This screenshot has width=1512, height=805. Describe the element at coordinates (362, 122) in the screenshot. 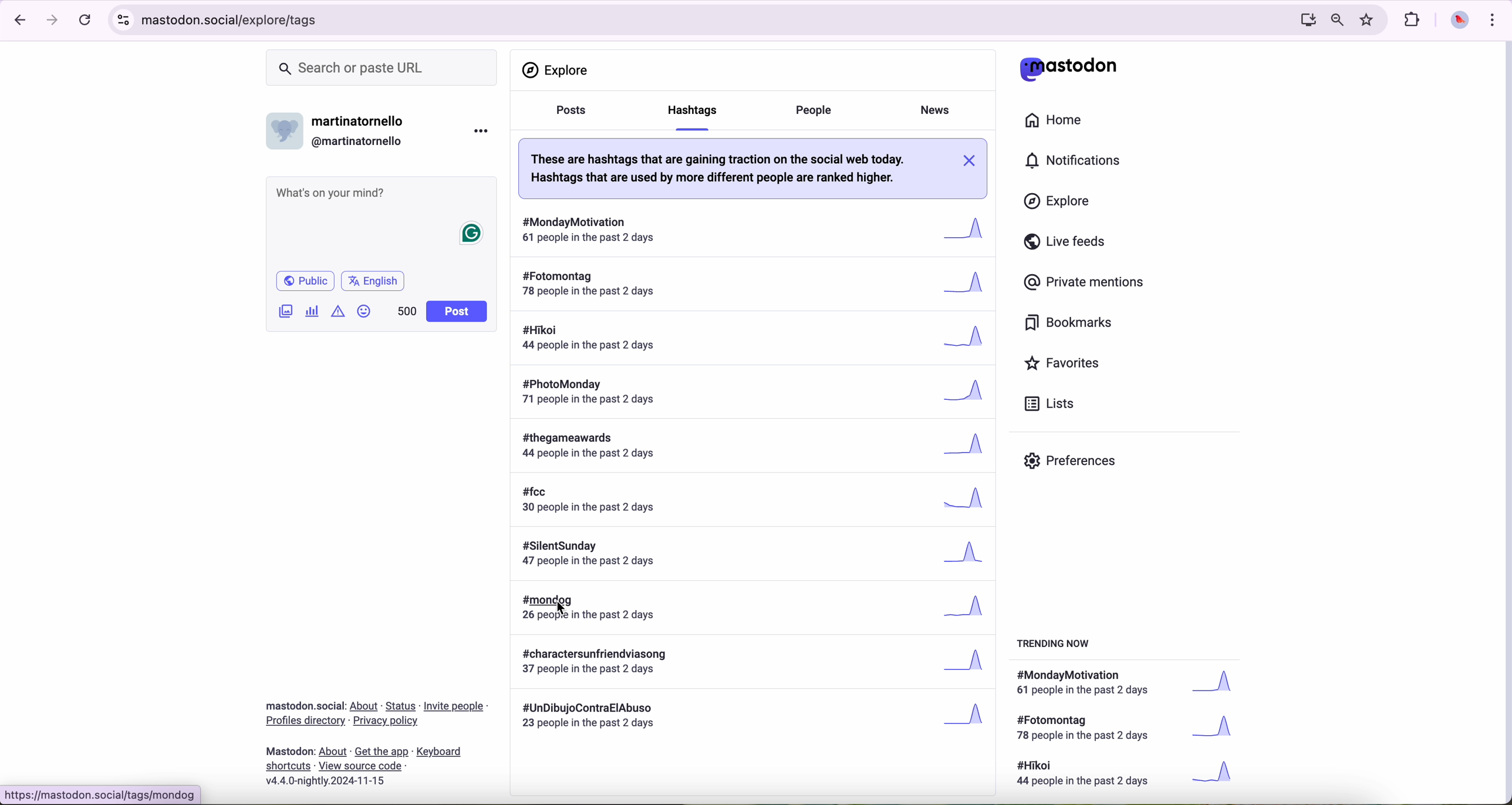

I see `user name` at that location.